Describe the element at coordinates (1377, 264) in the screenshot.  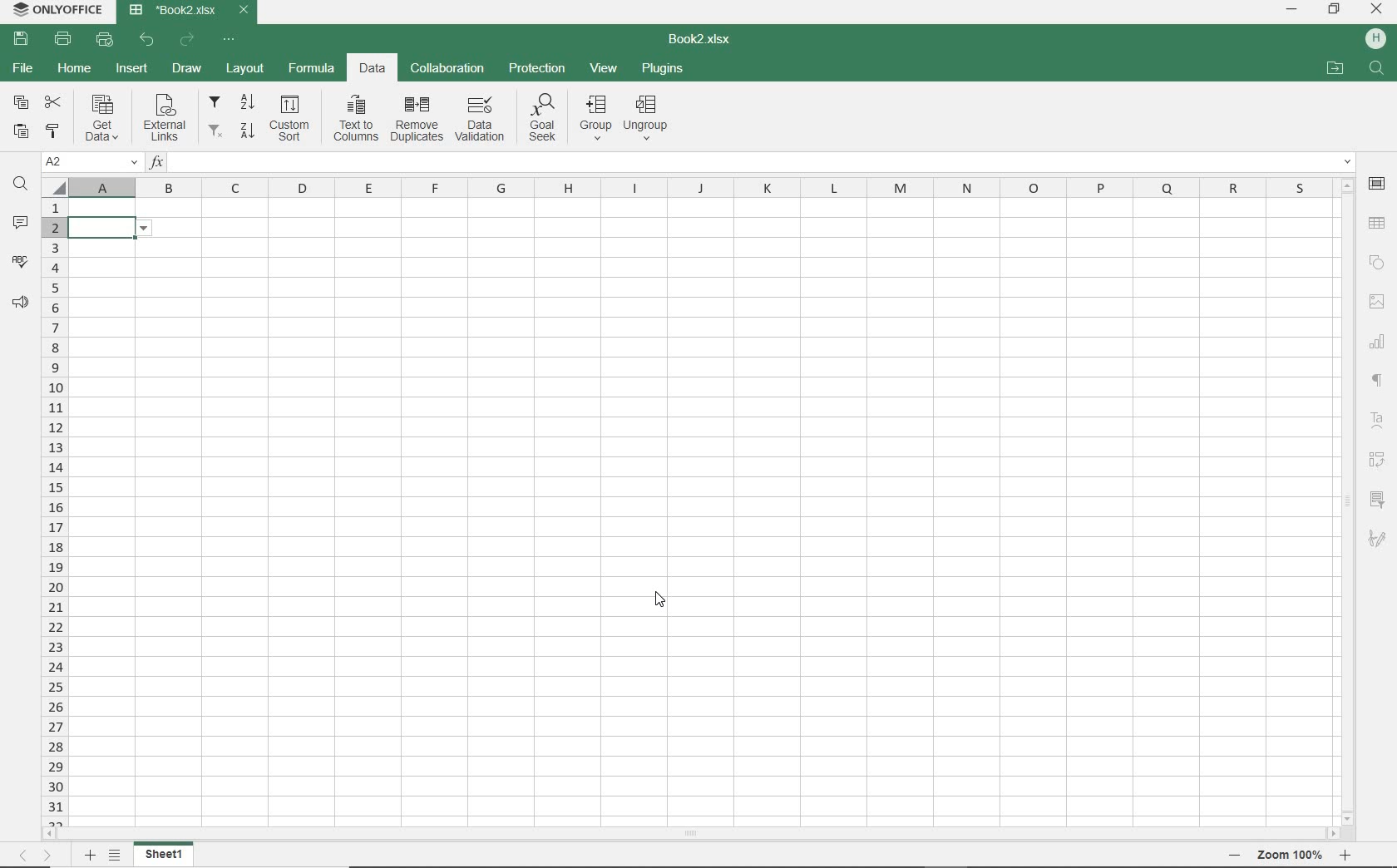
I see `SHAPE` at that location.